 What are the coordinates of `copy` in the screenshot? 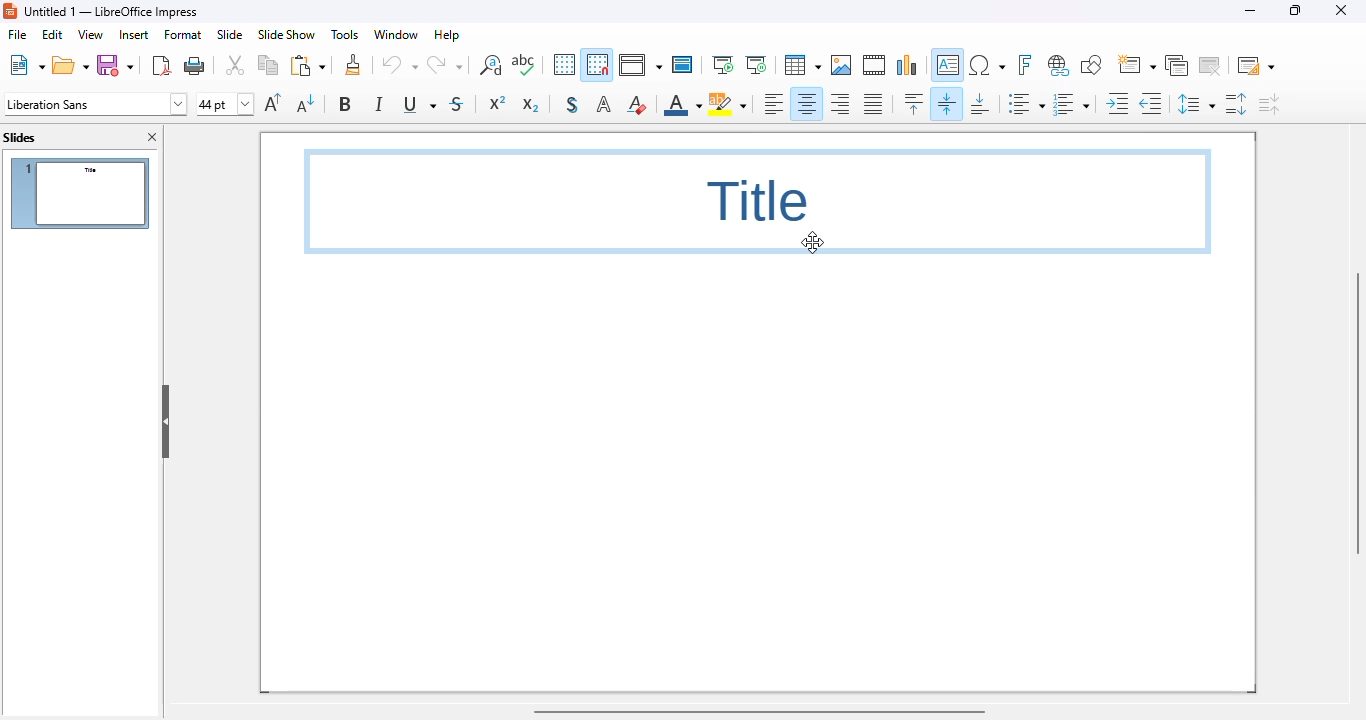 It's located at (268, 65).